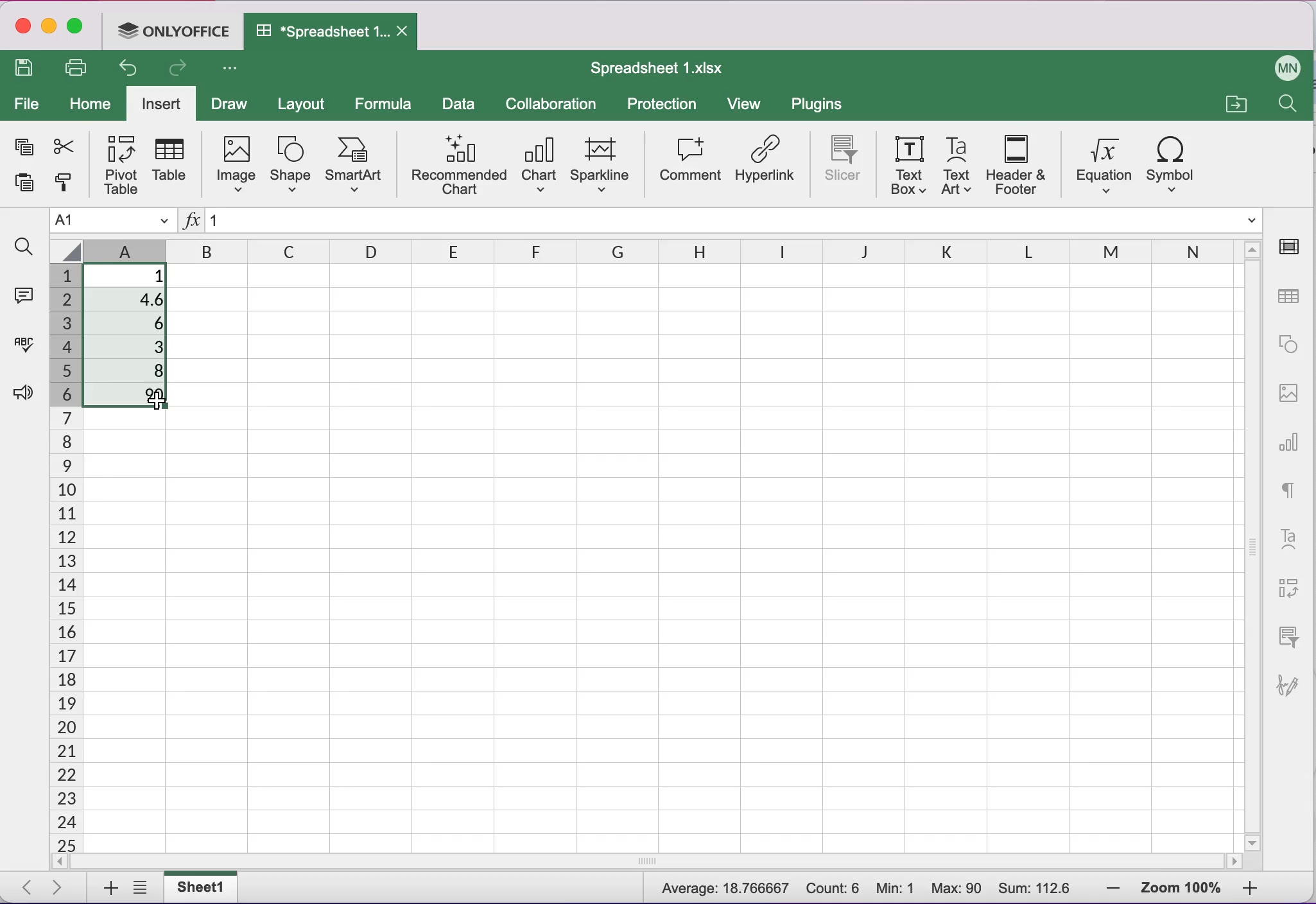 The image size is (1316, 904). I want to click on home, so click(92, 104).